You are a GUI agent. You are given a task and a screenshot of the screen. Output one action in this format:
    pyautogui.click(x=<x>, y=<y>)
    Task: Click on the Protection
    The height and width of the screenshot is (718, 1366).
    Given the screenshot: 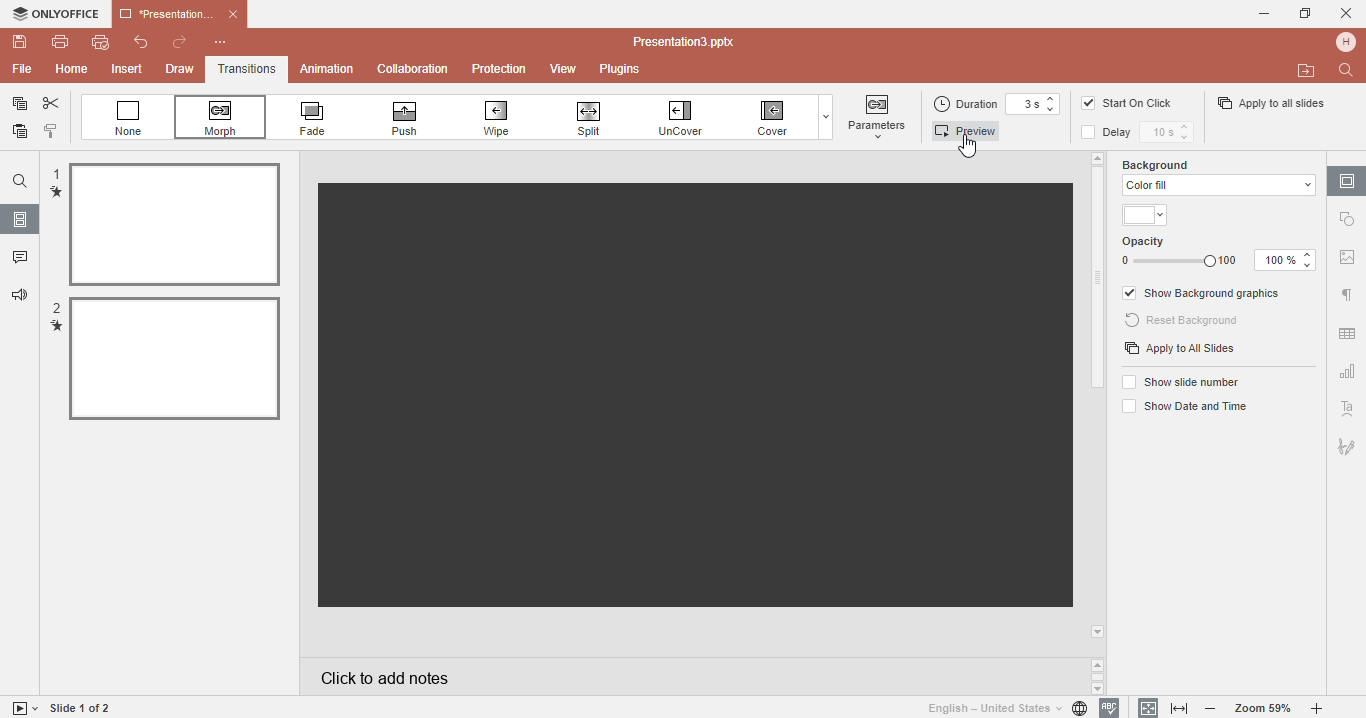 What is the action you would take?
    pyautogui.click(x=502, y=68)
    